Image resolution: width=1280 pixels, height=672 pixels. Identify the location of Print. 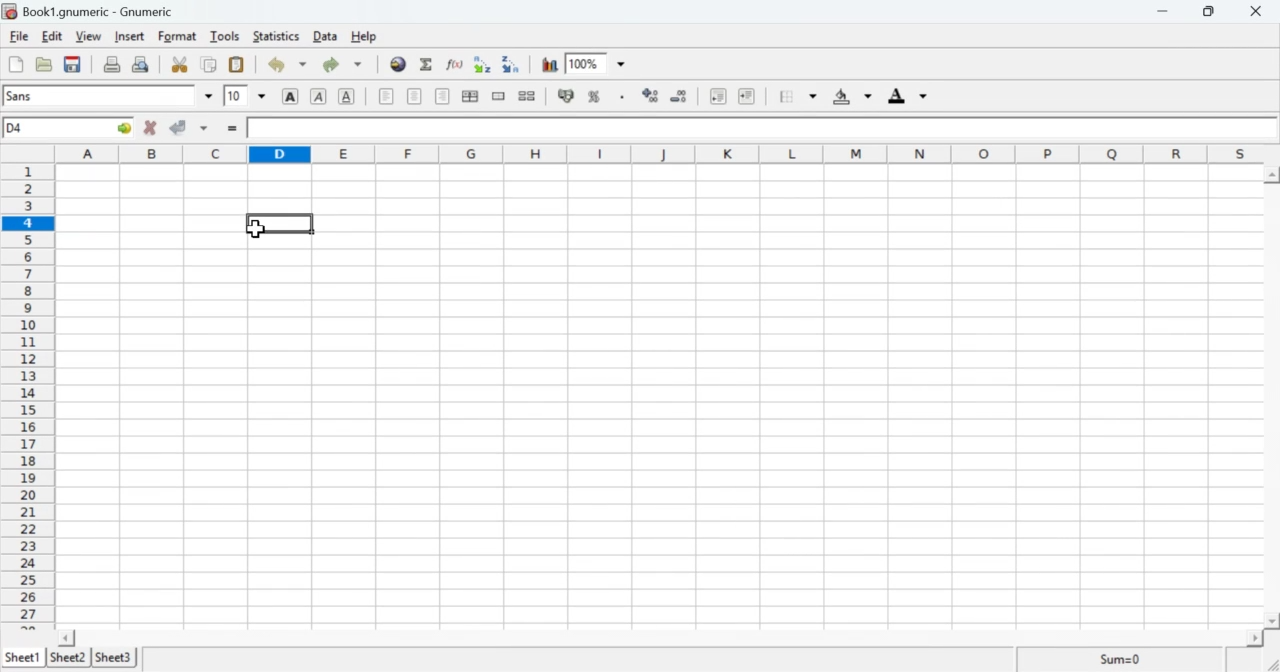
(113, 65).